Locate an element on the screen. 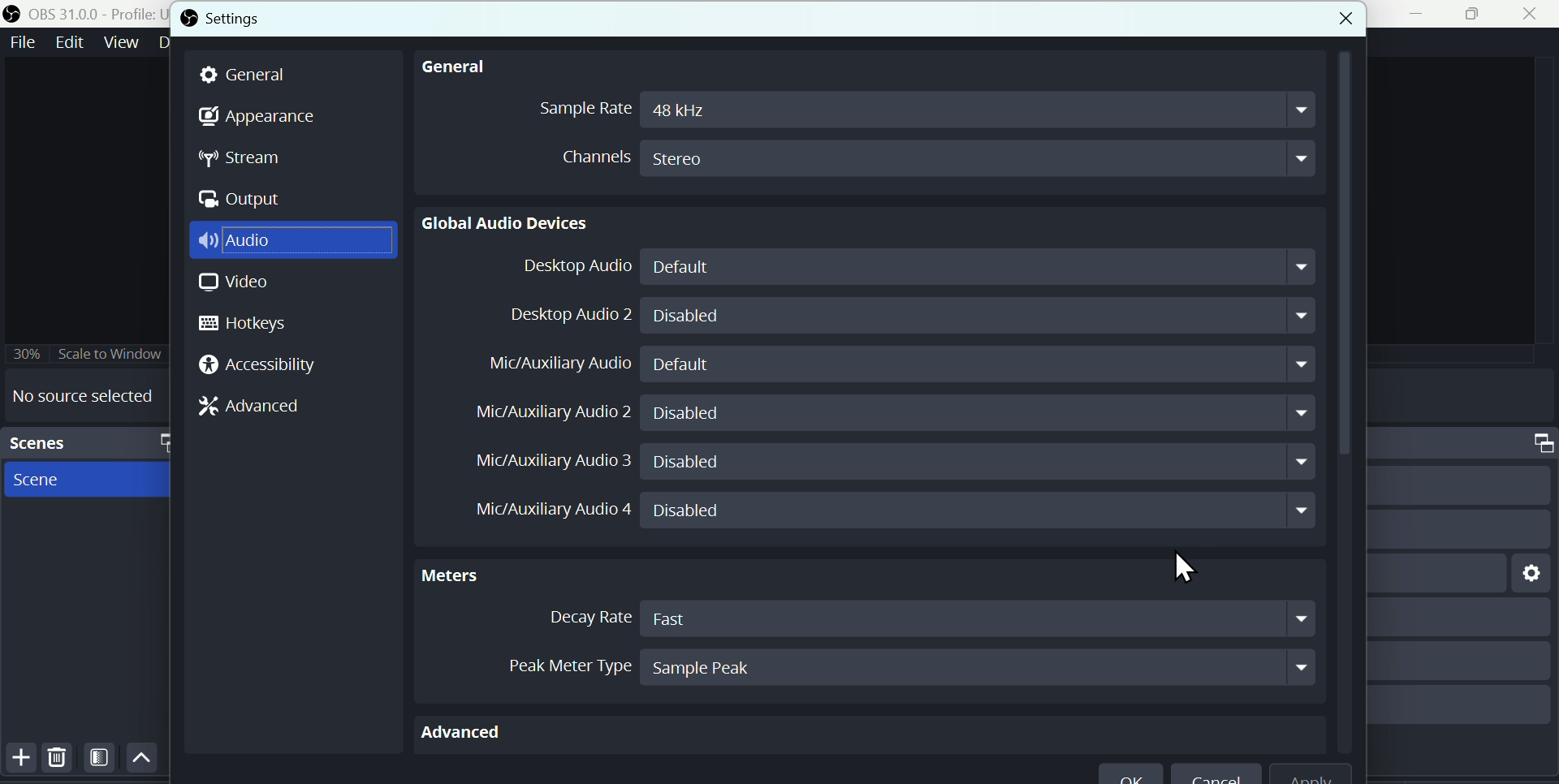 The width and height of the screenshot is (1559, 784). Disabled is located at coordinates (978, 413).